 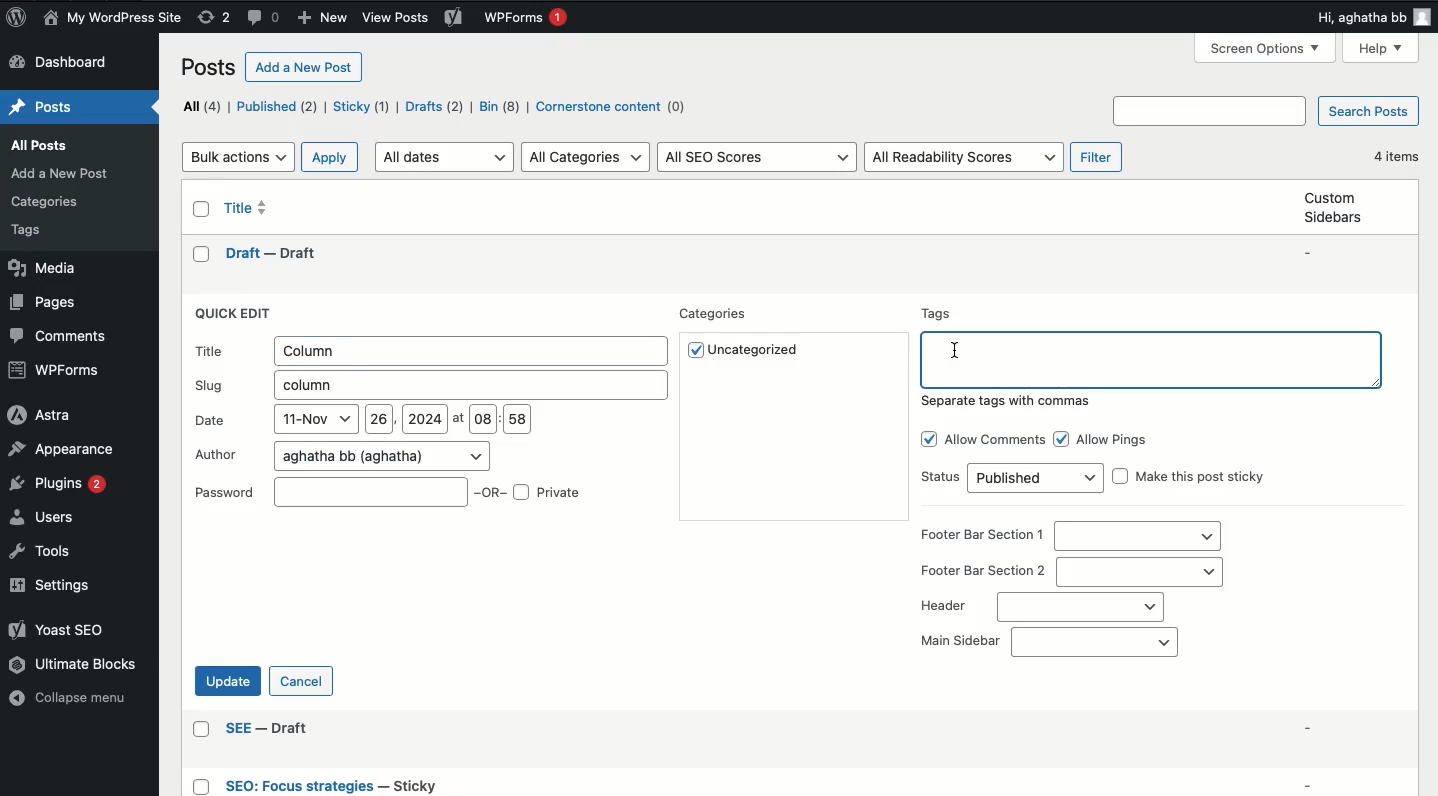 What do you see at coordinates (14, 18) in the screenshot?
I see `Logo` at bounding box center [14, 18].